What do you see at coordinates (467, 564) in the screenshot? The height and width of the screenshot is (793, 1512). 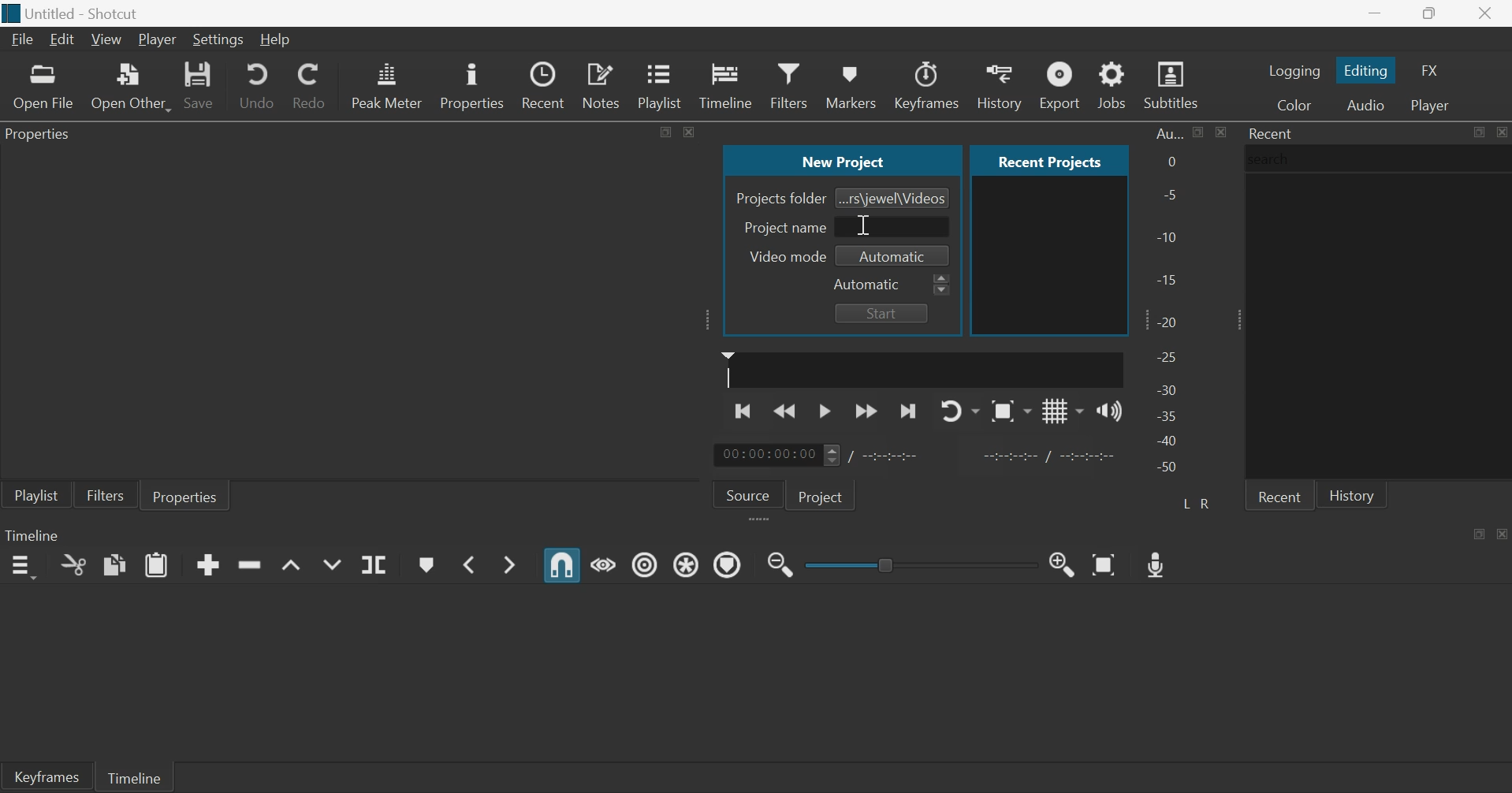 I see `Previous marker` at bounding box center [467, 564].